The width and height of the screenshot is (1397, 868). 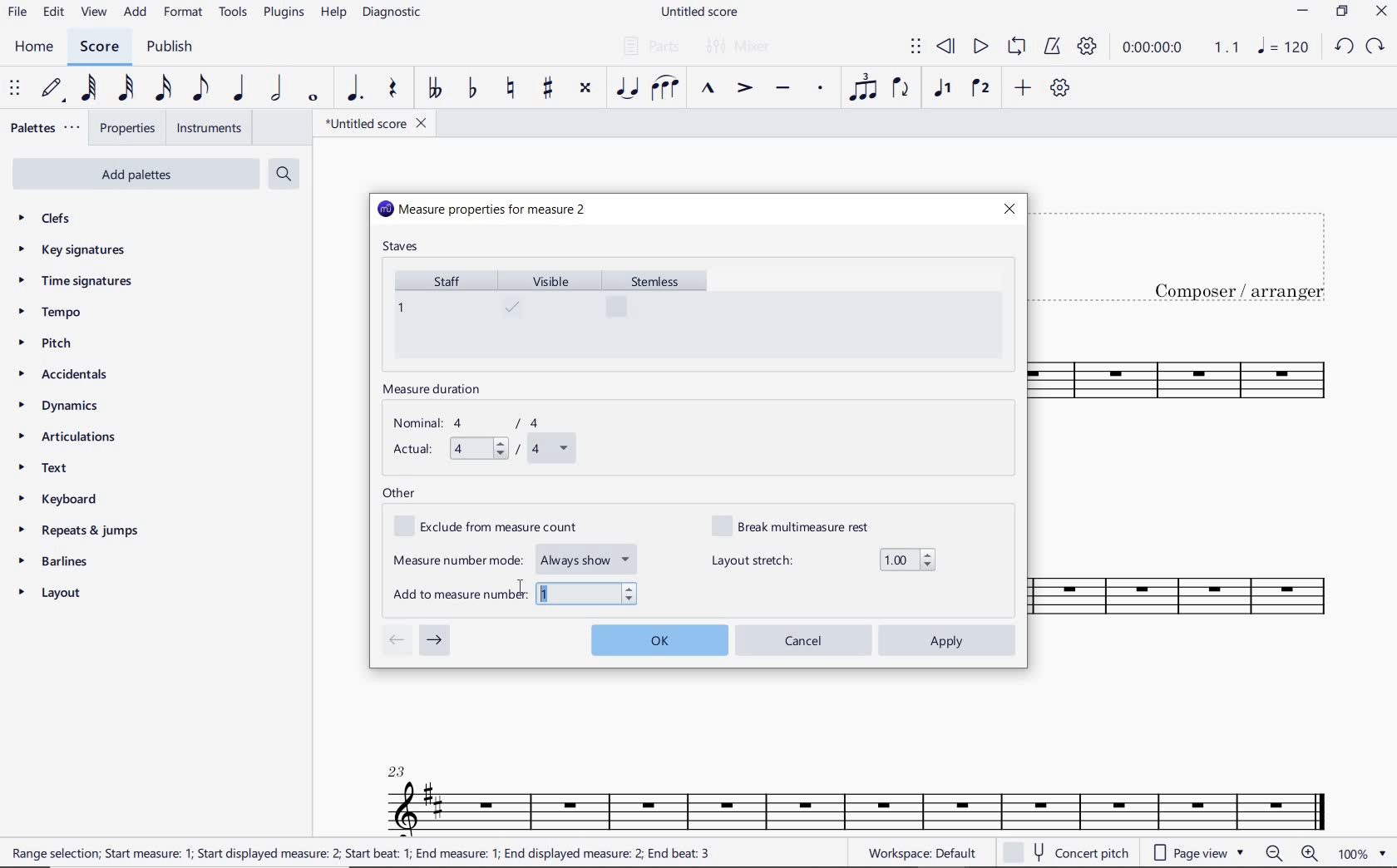 I want to click on REDO, so click(x=1376, y=47).